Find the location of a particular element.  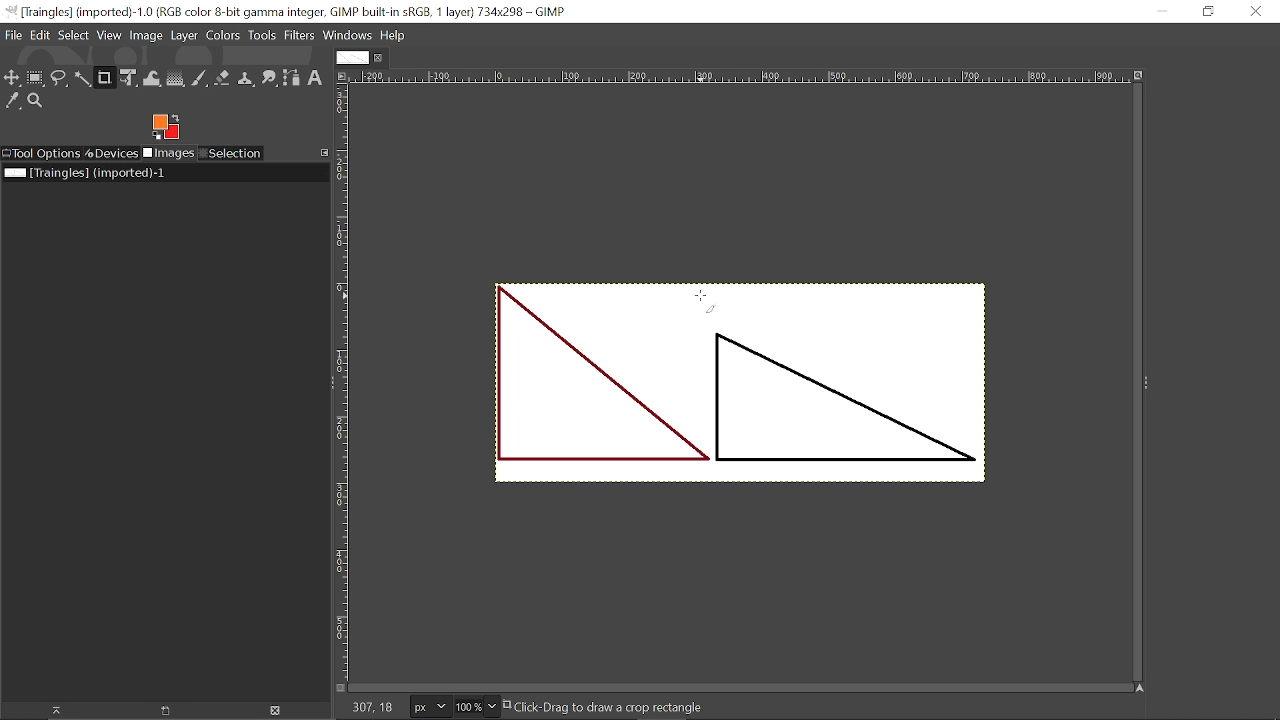

Vertical ruler is located at coordinates (342, 381).